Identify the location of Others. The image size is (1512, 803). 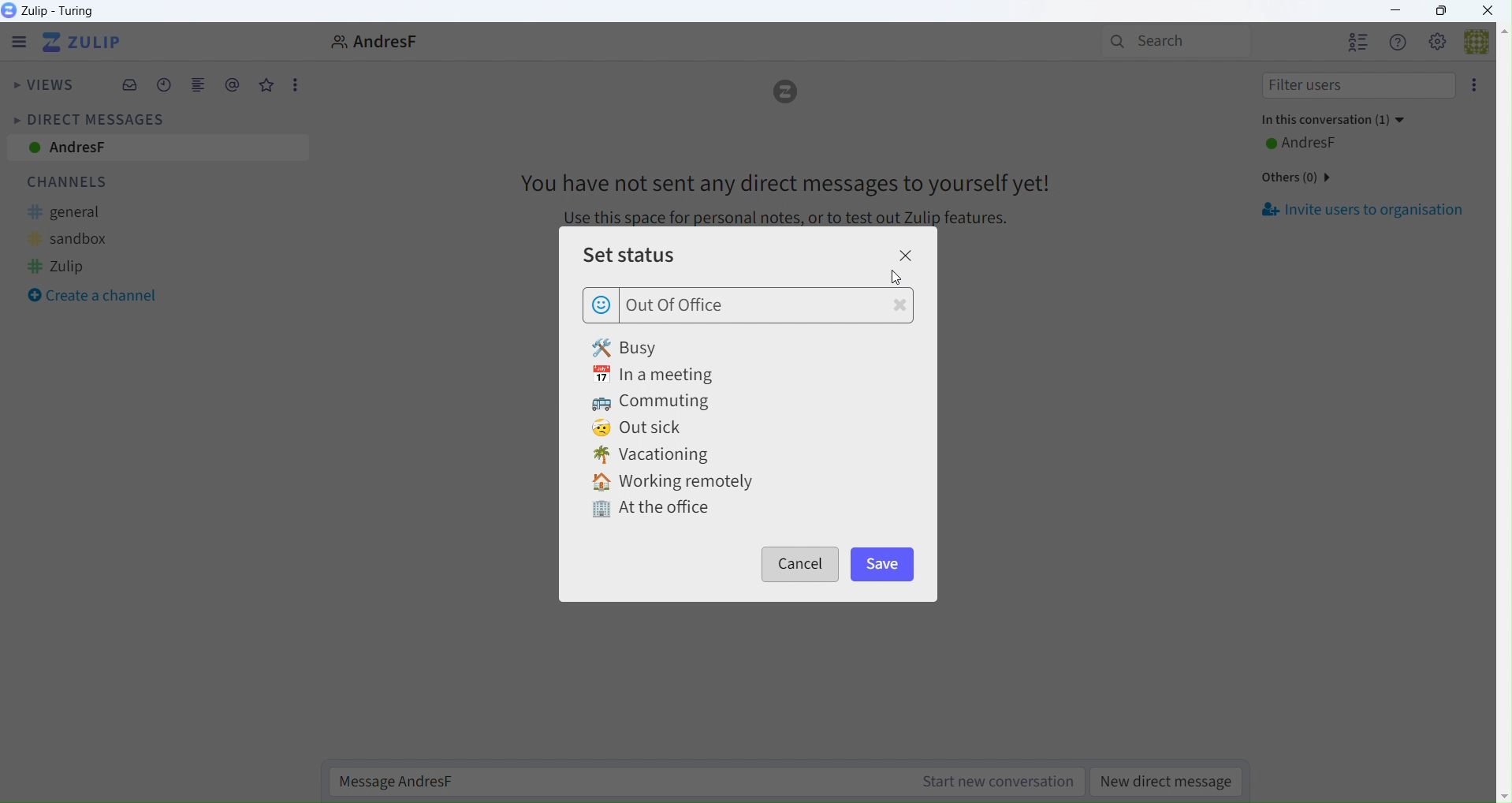
(1295, 177).